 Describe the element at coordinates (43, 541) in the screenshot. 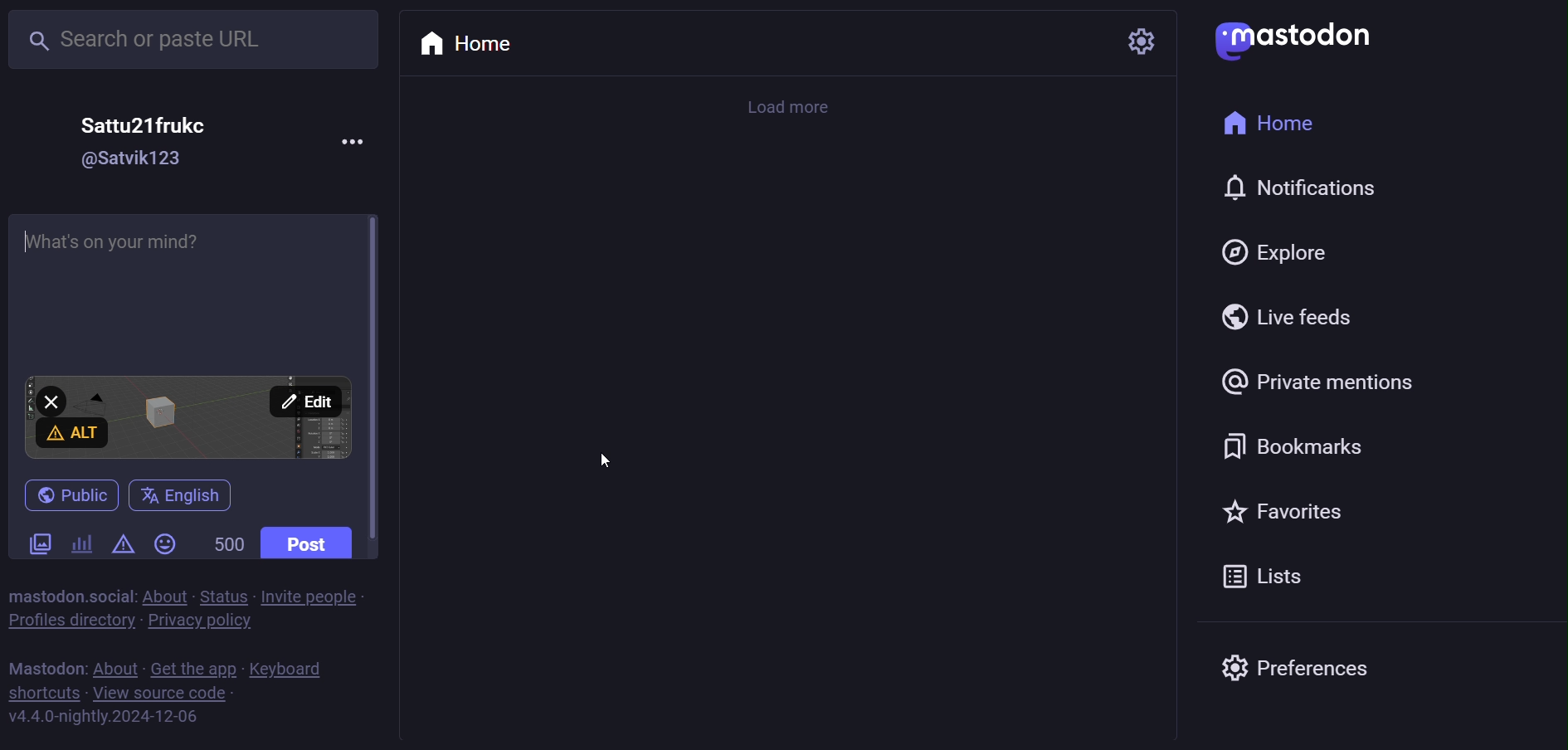

I see `images/videos` at that location.